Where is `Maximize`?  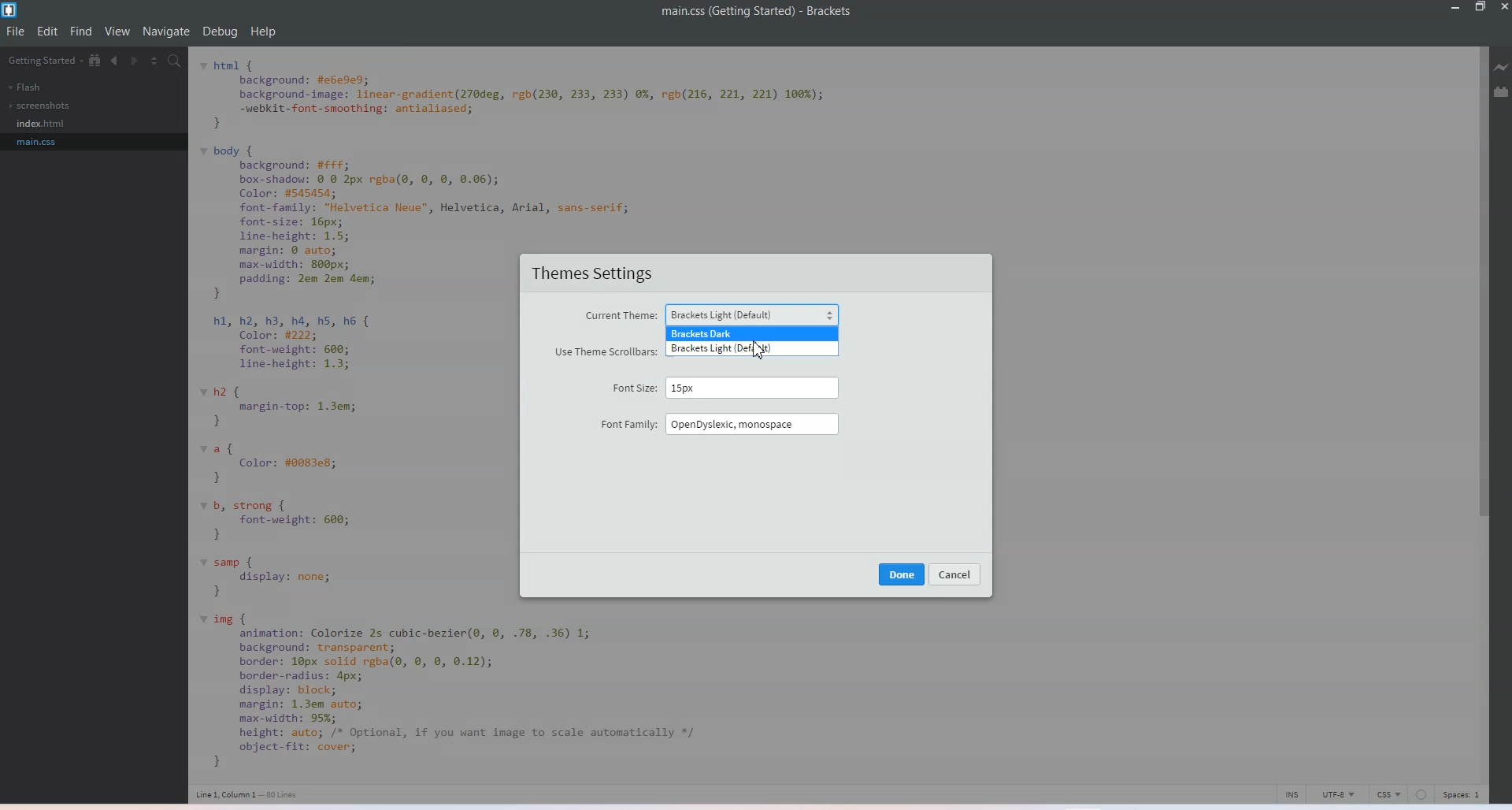 Maximize is located at coordinates (1480, 7).